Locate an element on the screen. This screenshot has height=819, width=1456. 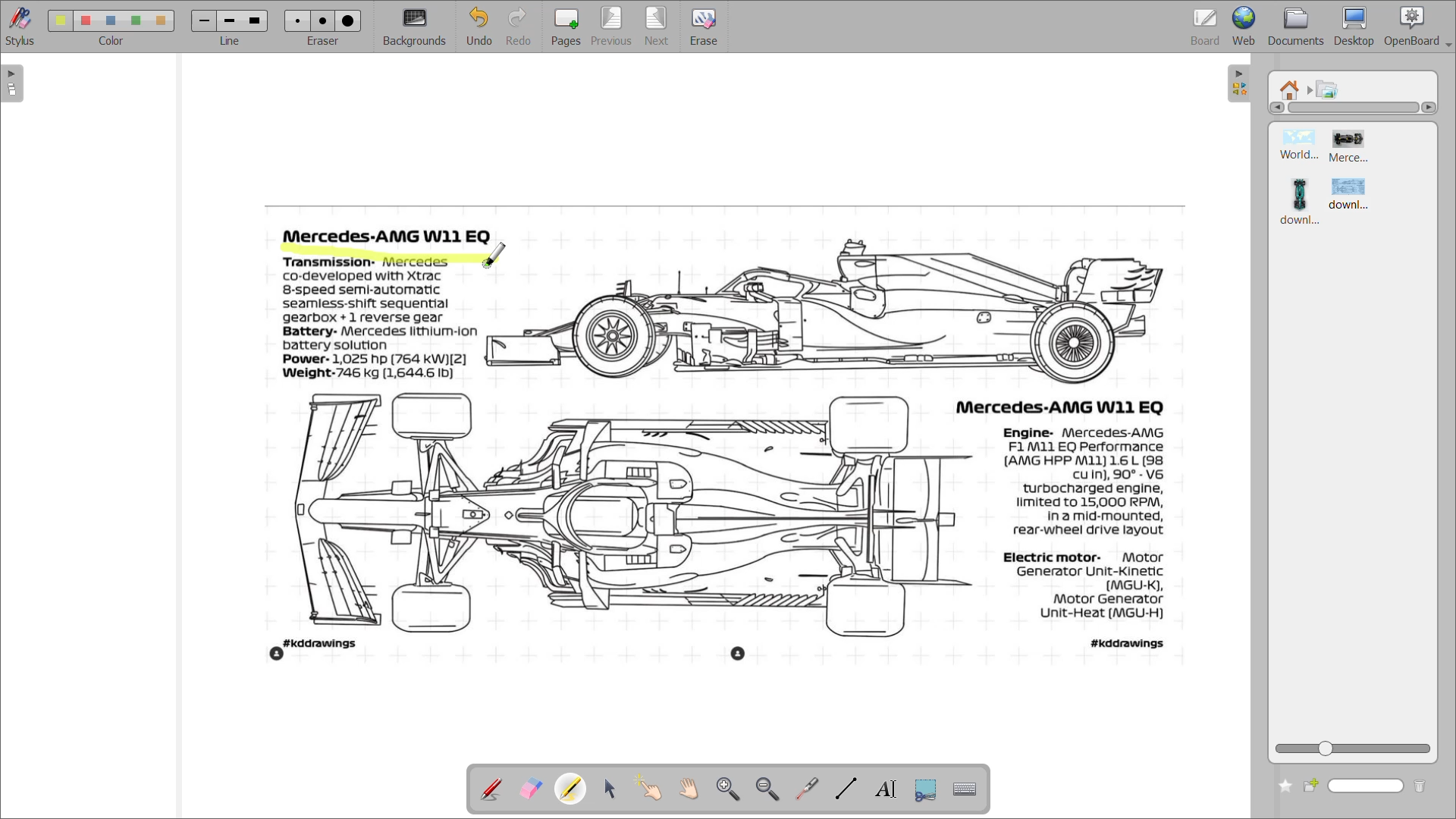
add to favourites is located at coordinates (1284, 785).